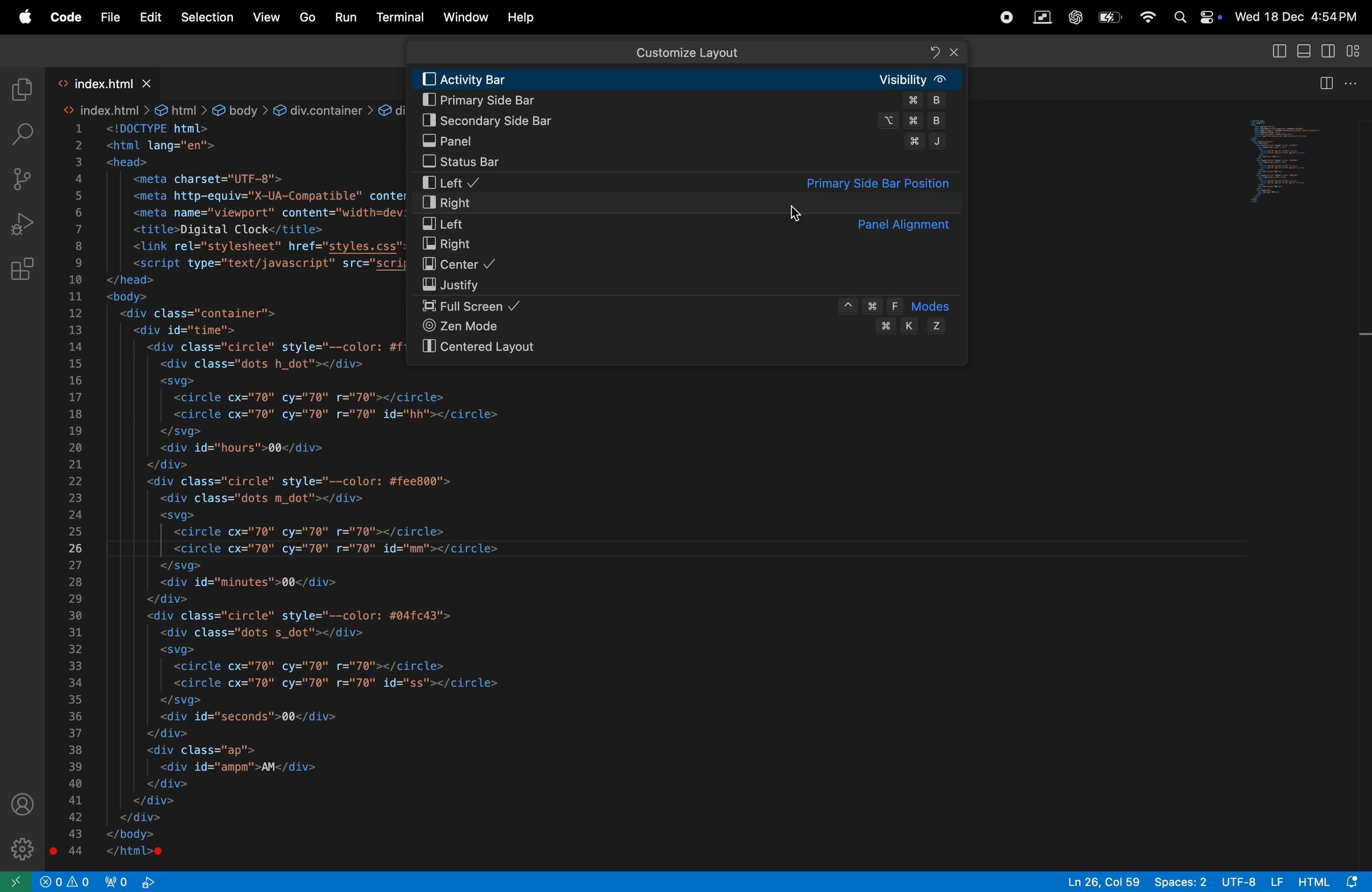 Image resolution: width=1372 pixels, height=892 pixels. Describe the element at coordinates (1306, 50) in the screenshot. I see `toggle panel` at that location.